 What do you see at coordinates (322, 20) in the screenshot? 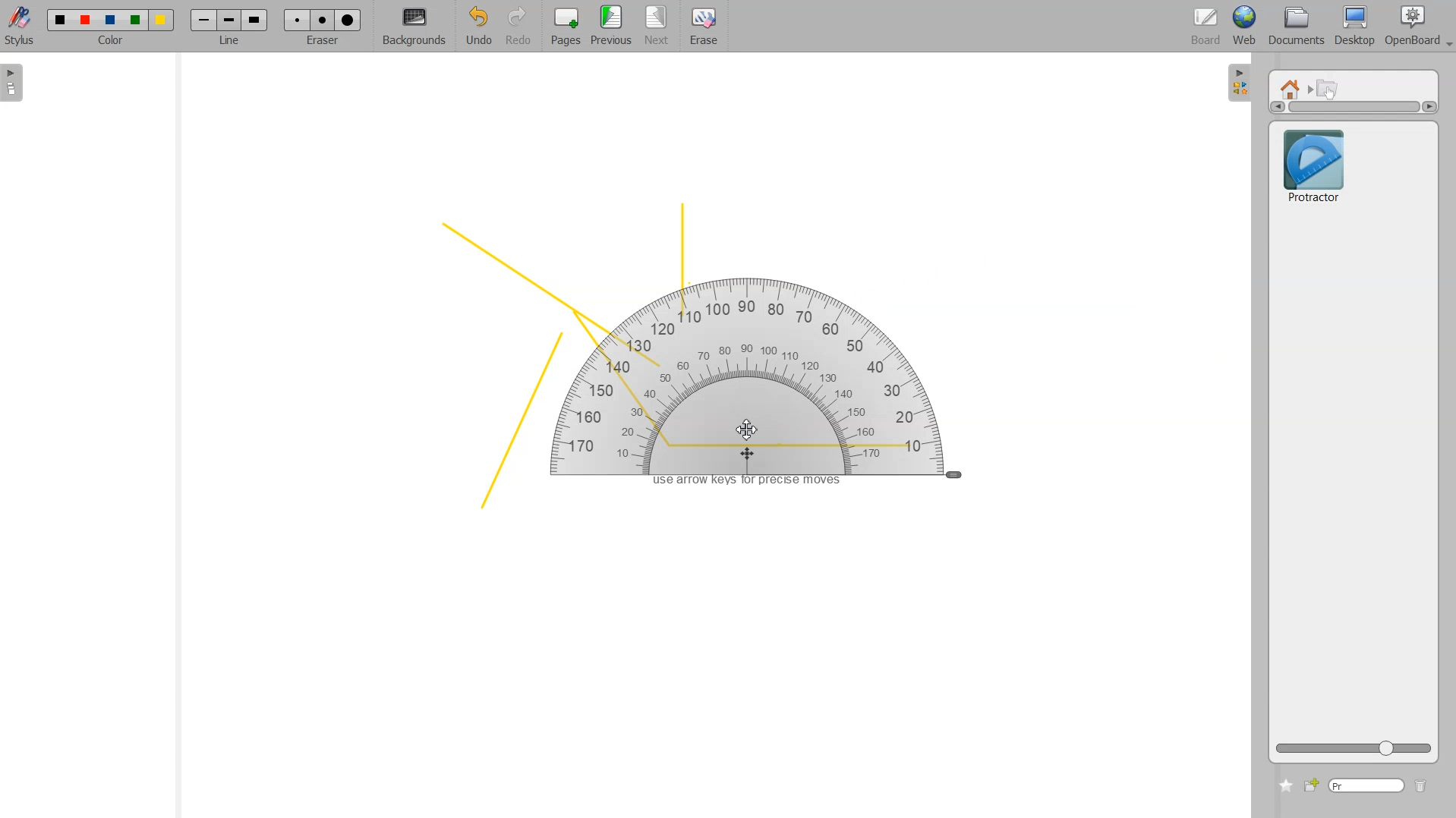
I see `Erase` at bounding box center [322, 20].